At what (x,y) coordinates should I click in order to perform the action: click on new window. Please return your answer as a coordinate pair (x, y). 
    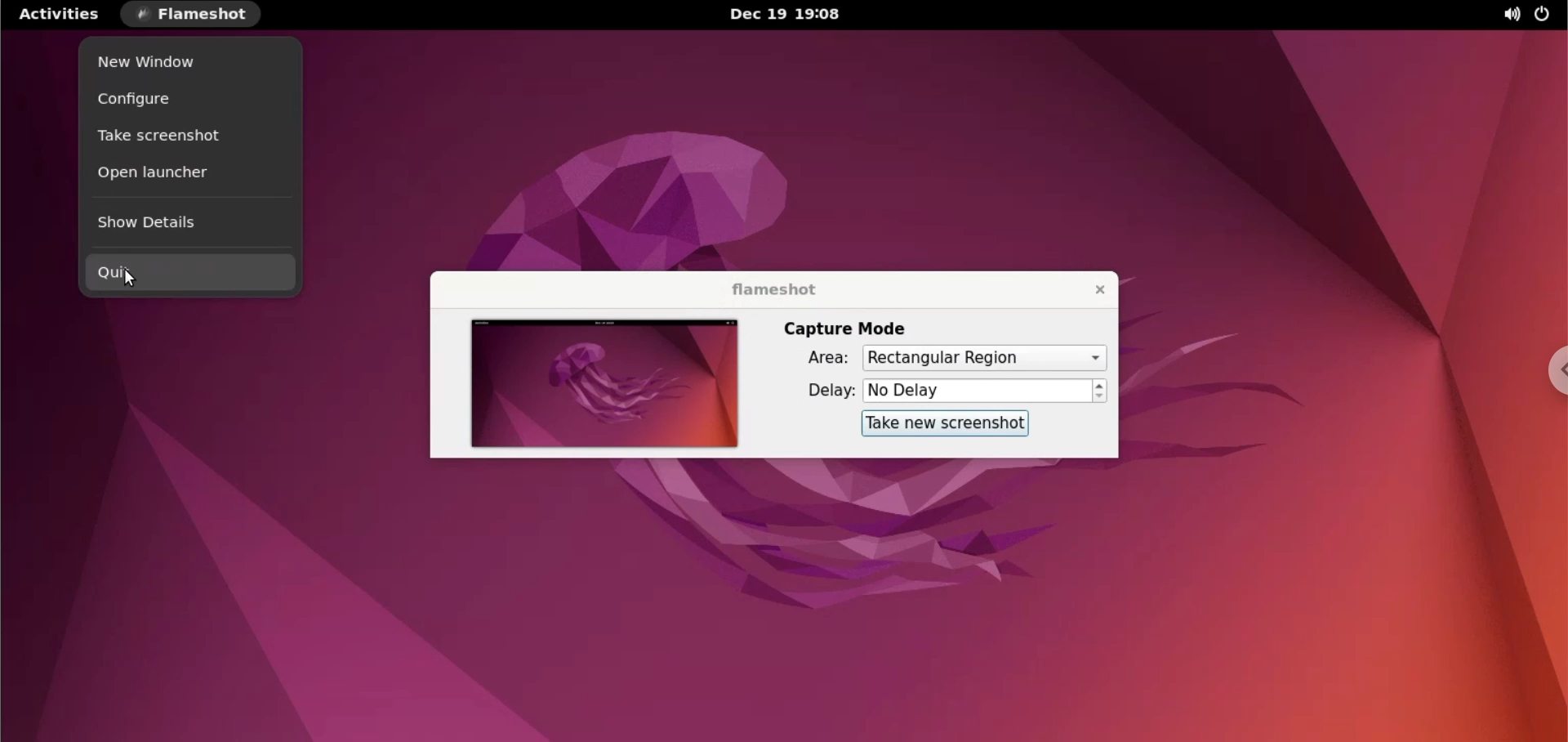
    Looking at the image, I should click on (189, 62).